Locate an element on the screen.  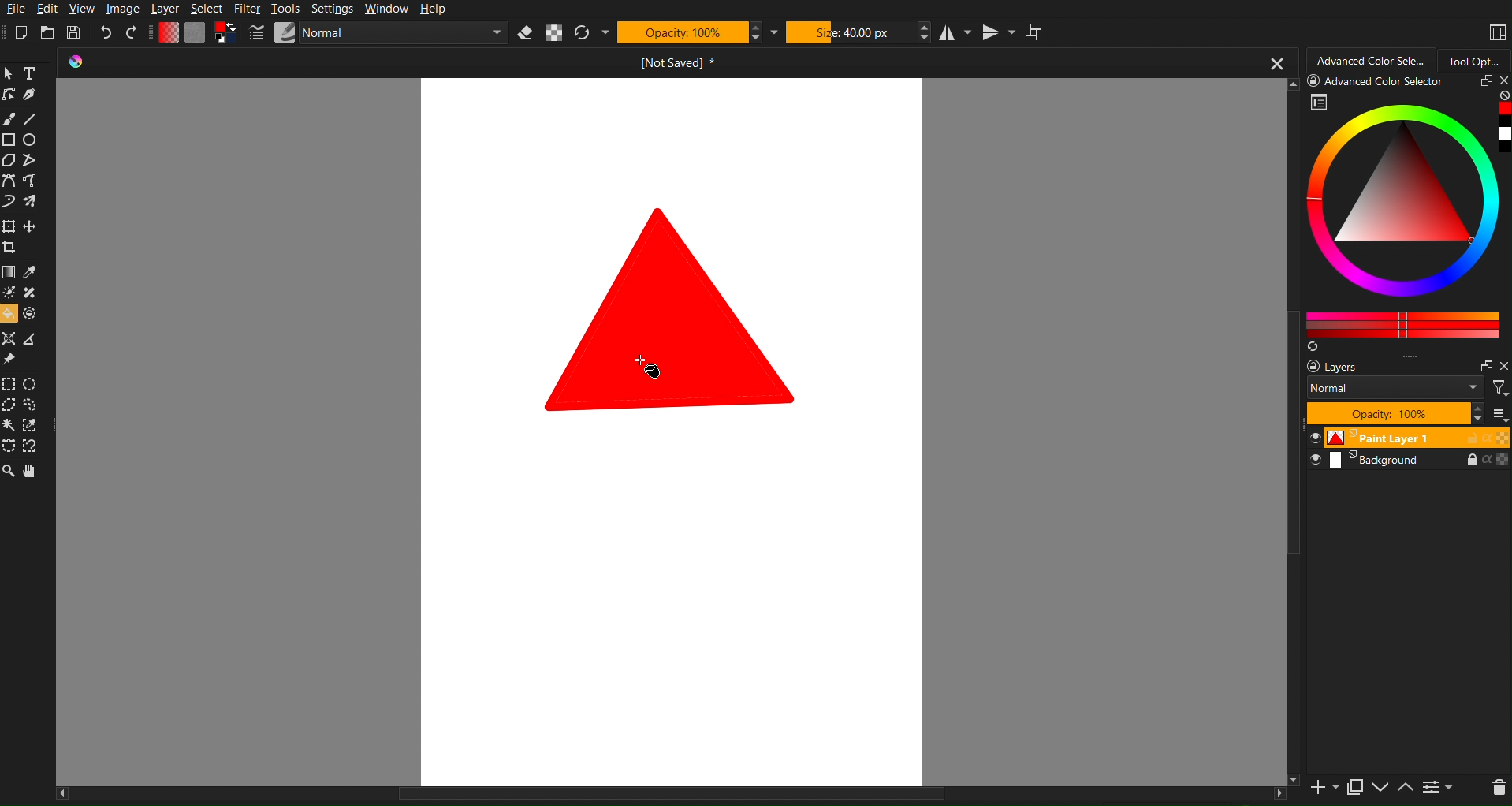
scroll bar is located at coordinates (1287, 432).